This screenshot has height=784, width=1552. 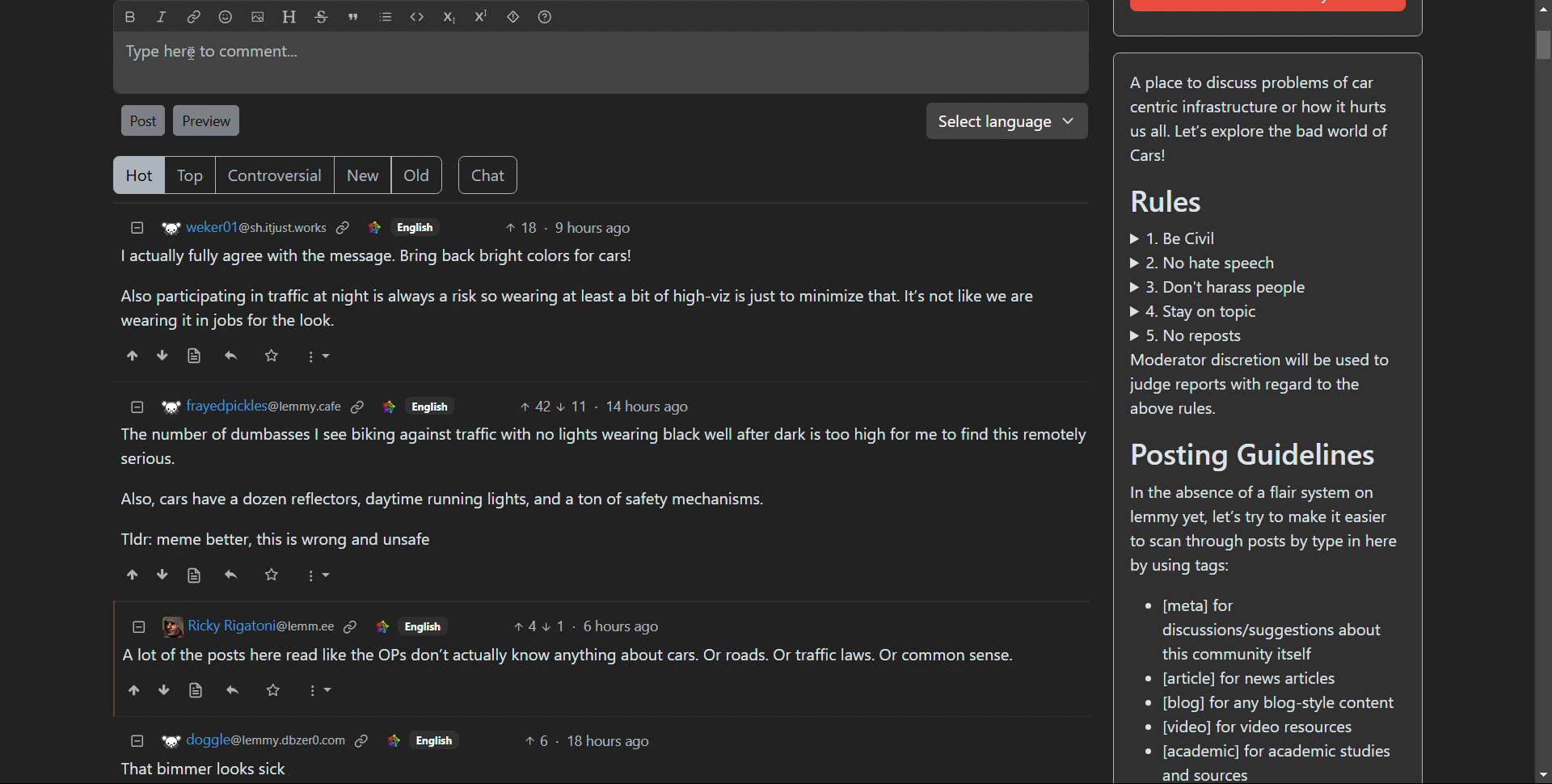 I want to click on select language, so click(x=1006, y=121).